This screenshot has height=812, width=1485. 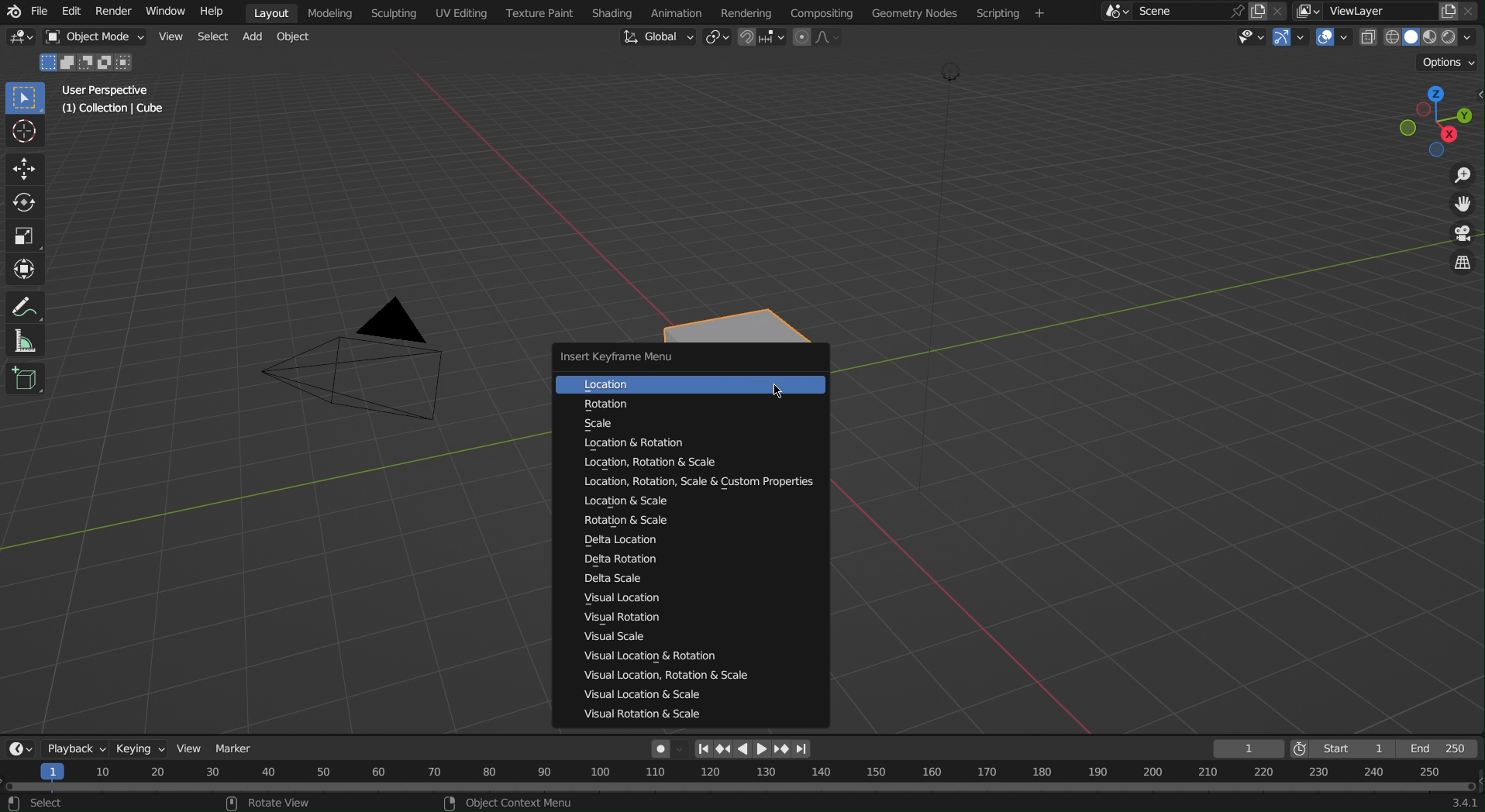 I want to click on Visual Rotation, so click(x=610, y=618).